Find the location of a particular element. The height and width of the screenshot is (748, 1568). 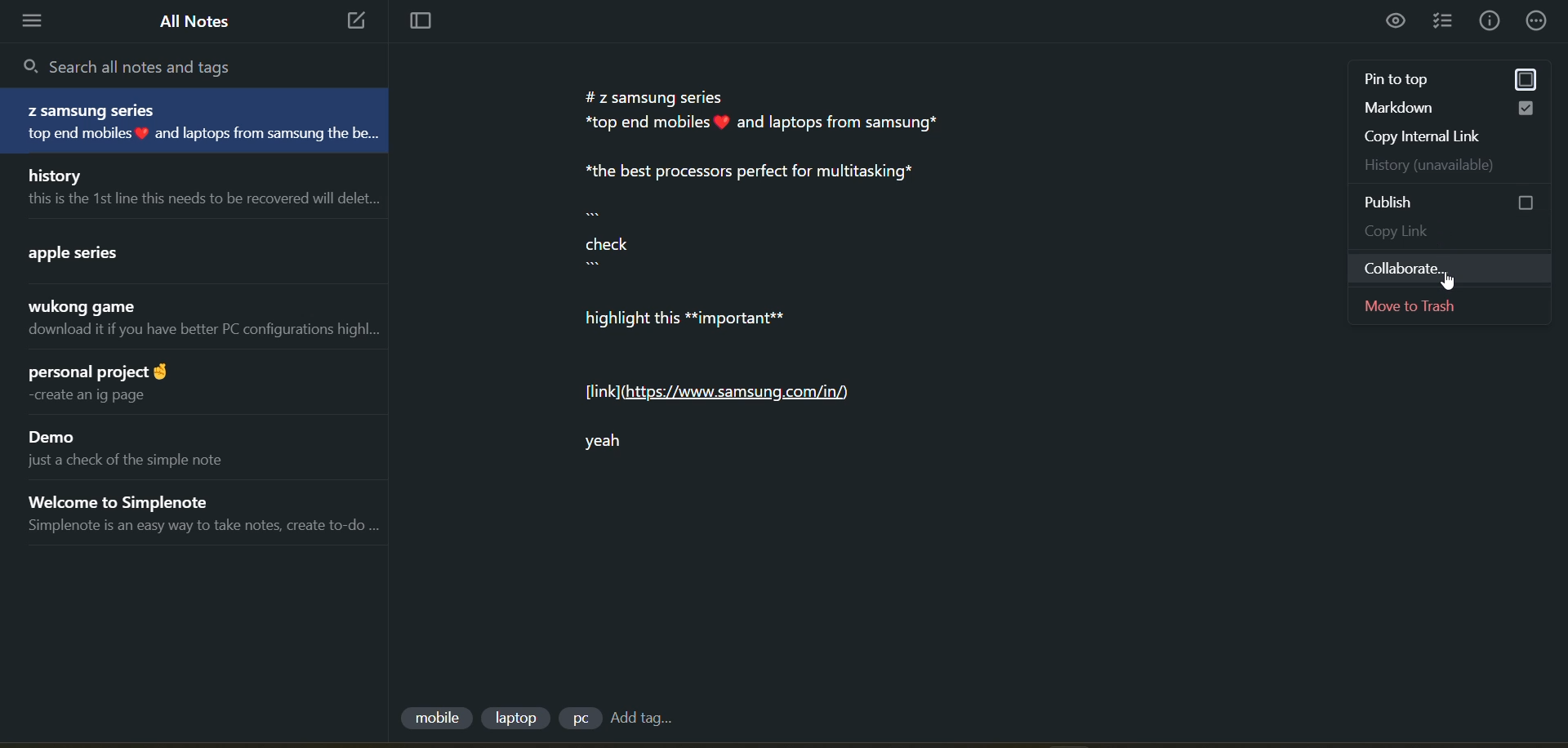

note title and preview is located at coordinates (194, 186).